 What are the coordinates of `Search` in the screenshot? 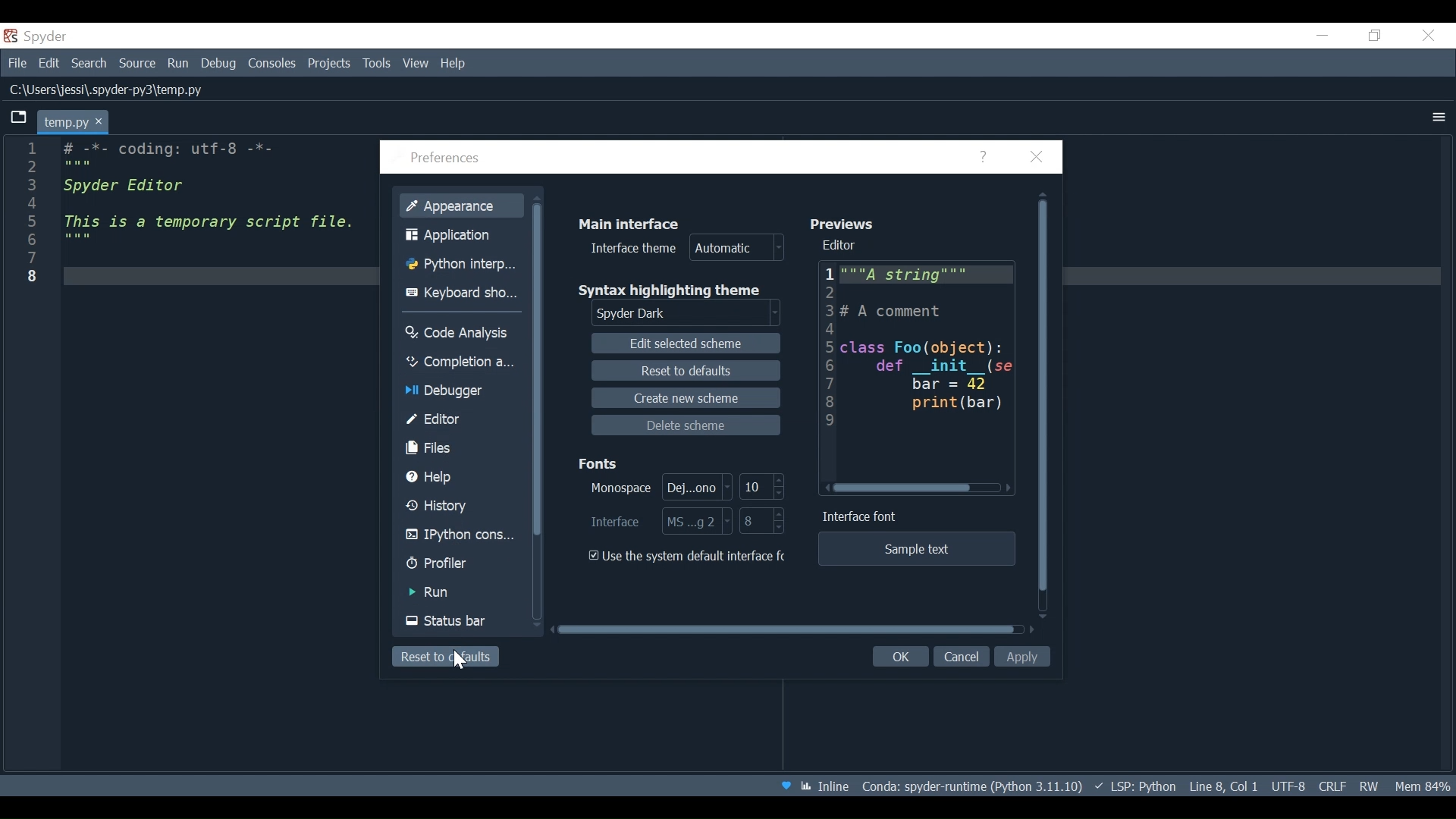 It's located at (89, 65).